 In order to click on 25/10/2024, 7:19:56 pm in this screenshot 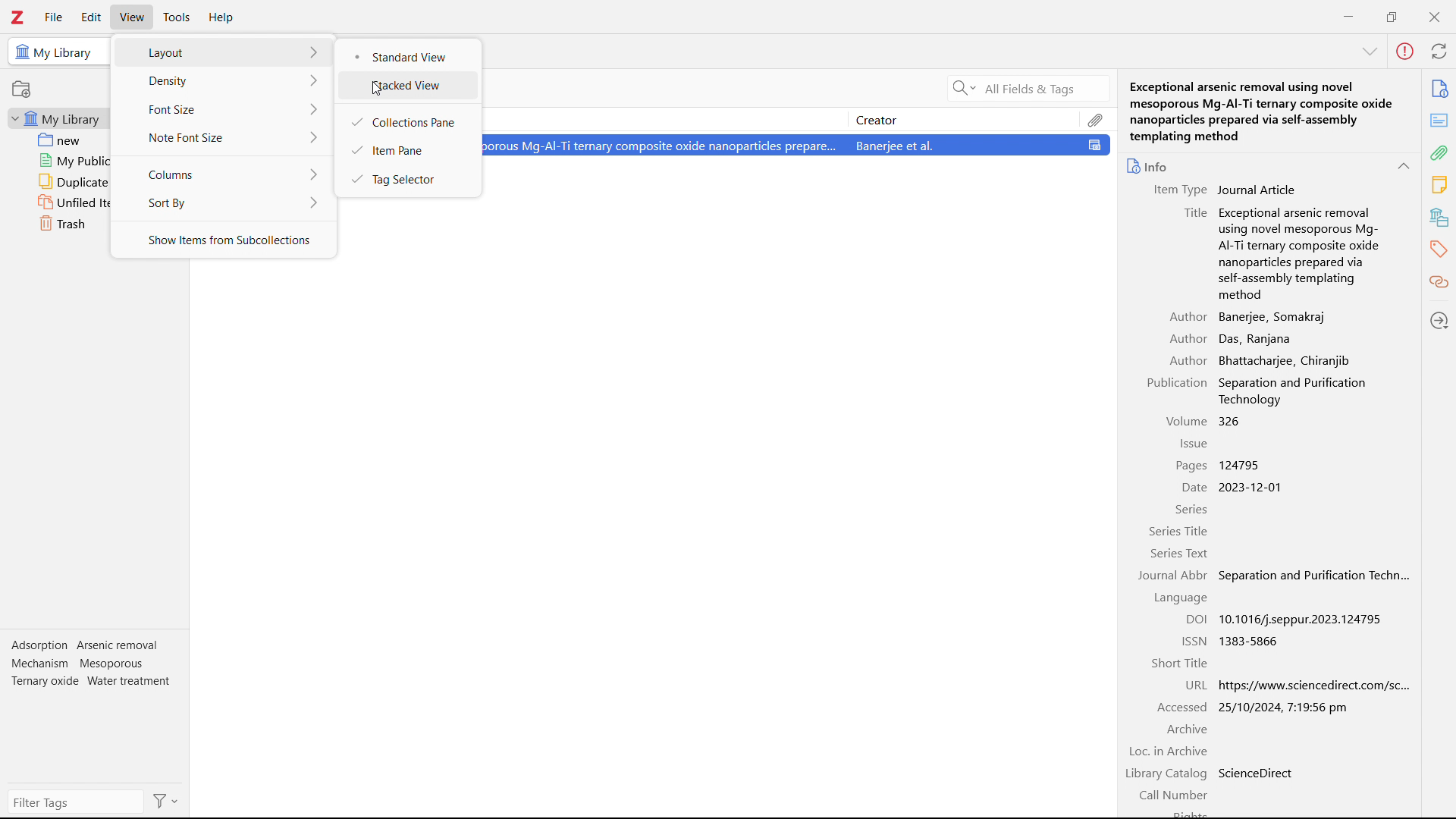, I will do `click(1286, 707)`.